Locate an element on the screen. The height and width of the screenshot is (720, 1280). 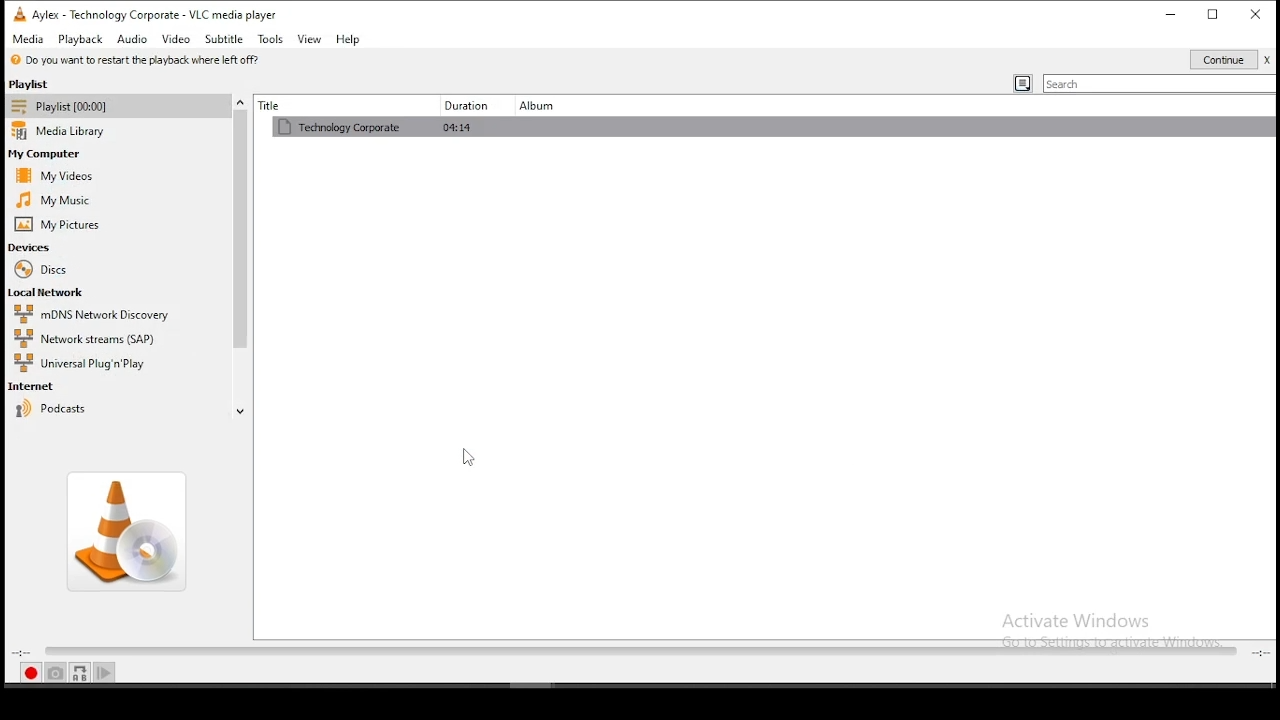
my pictures is located at coordinates (58, 228).